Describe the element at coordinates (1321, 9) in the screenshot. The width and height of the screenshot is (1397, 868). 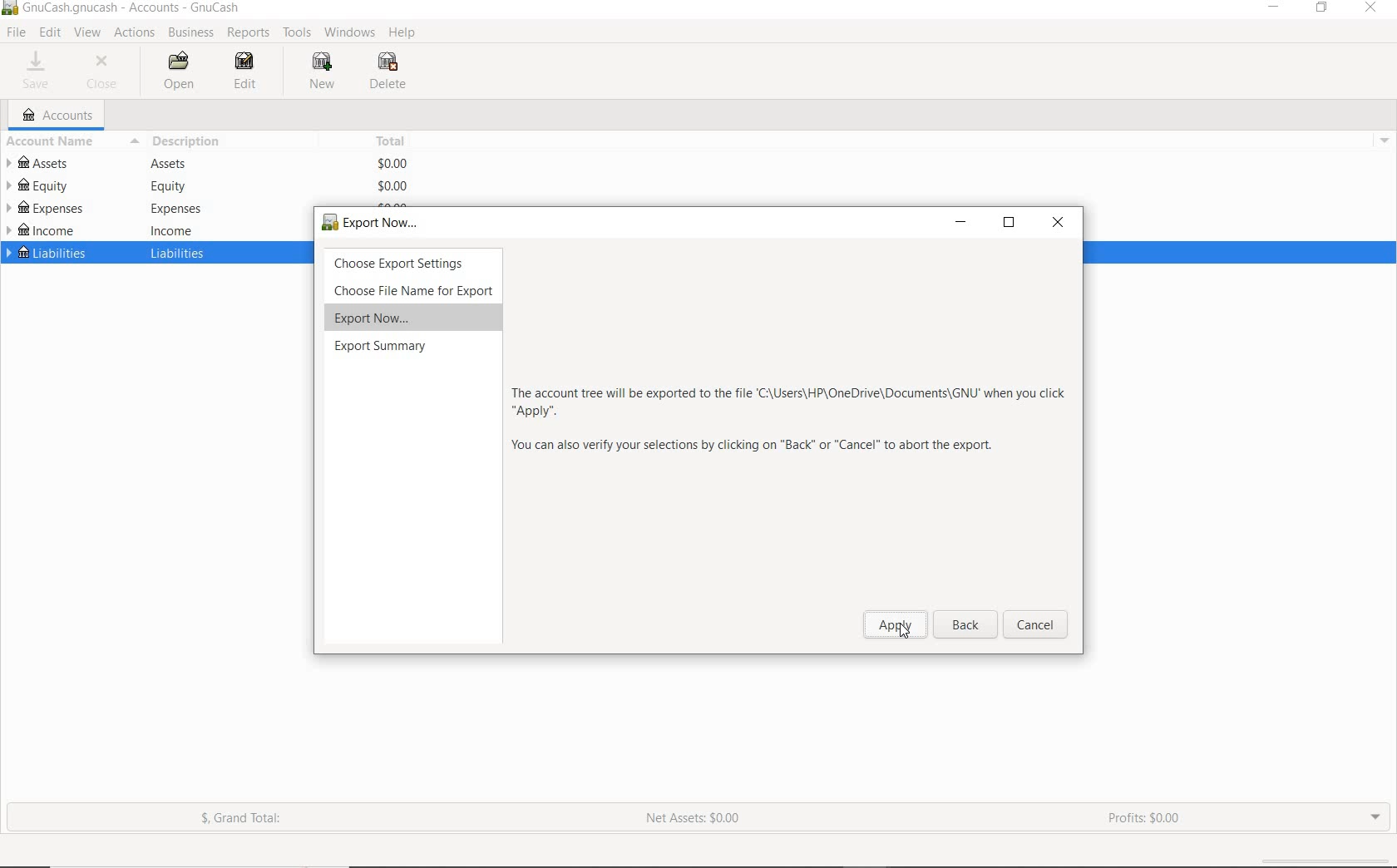
I see `RESTORE DOWN` at that location.